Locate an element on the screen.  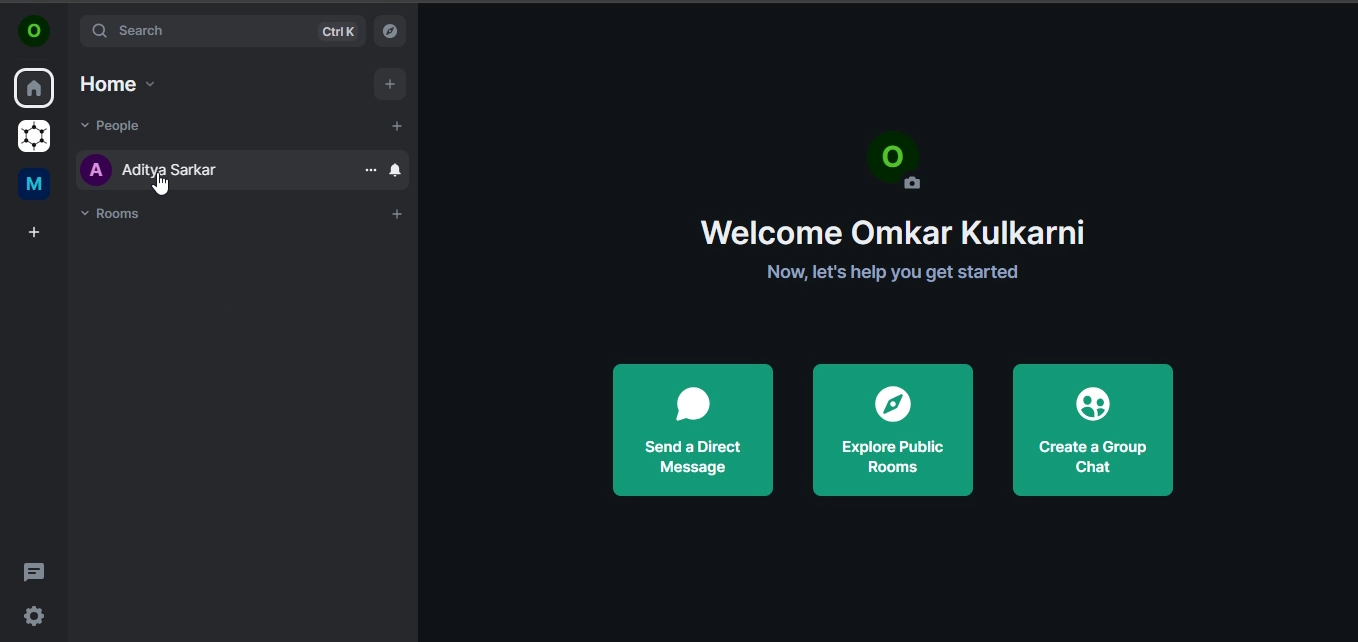
Cursor is located at coordinates (163, 185).